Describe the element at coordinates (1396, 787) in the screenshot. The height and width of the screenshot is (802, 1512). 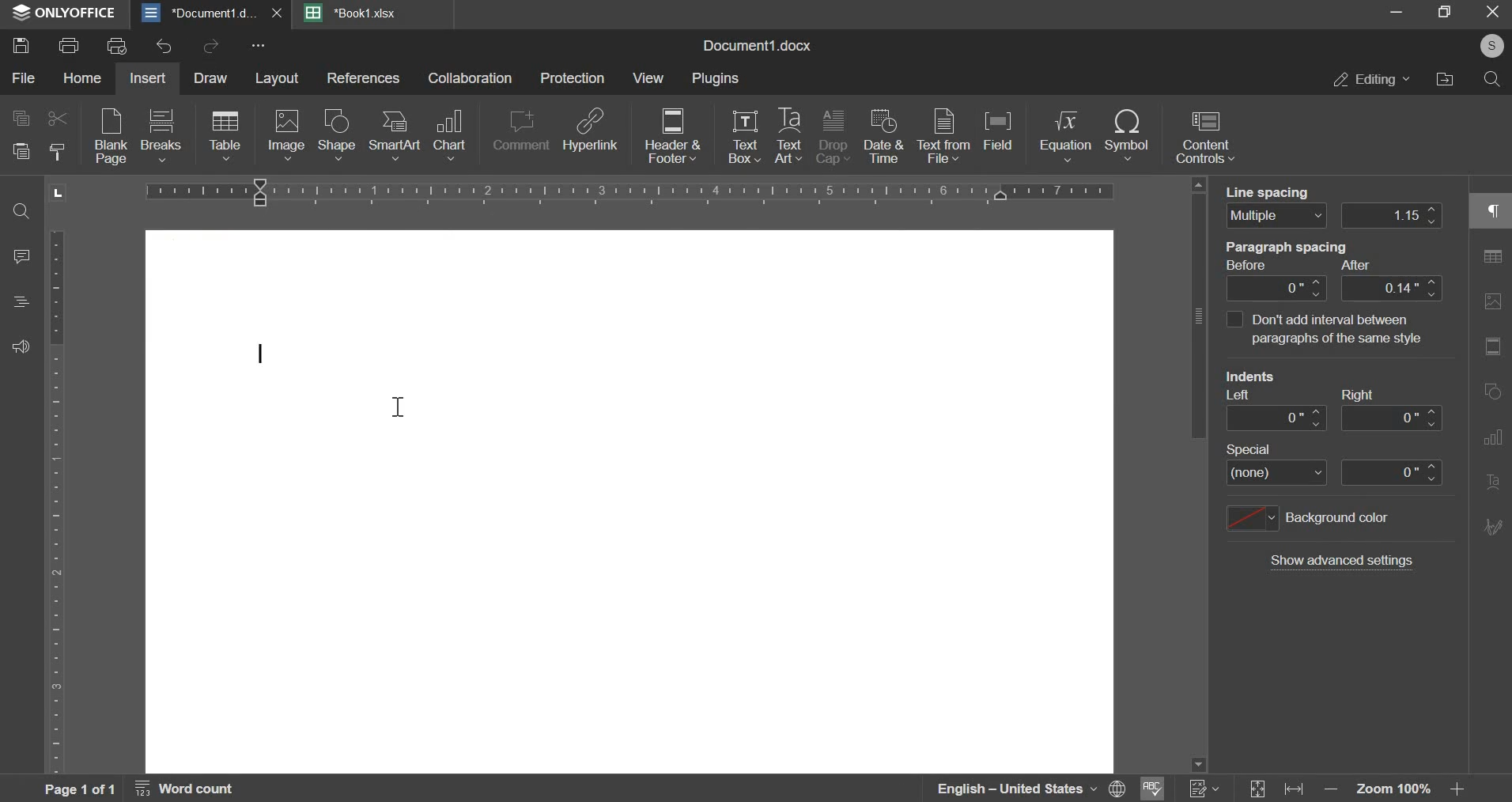
I see `zoom` at that location.